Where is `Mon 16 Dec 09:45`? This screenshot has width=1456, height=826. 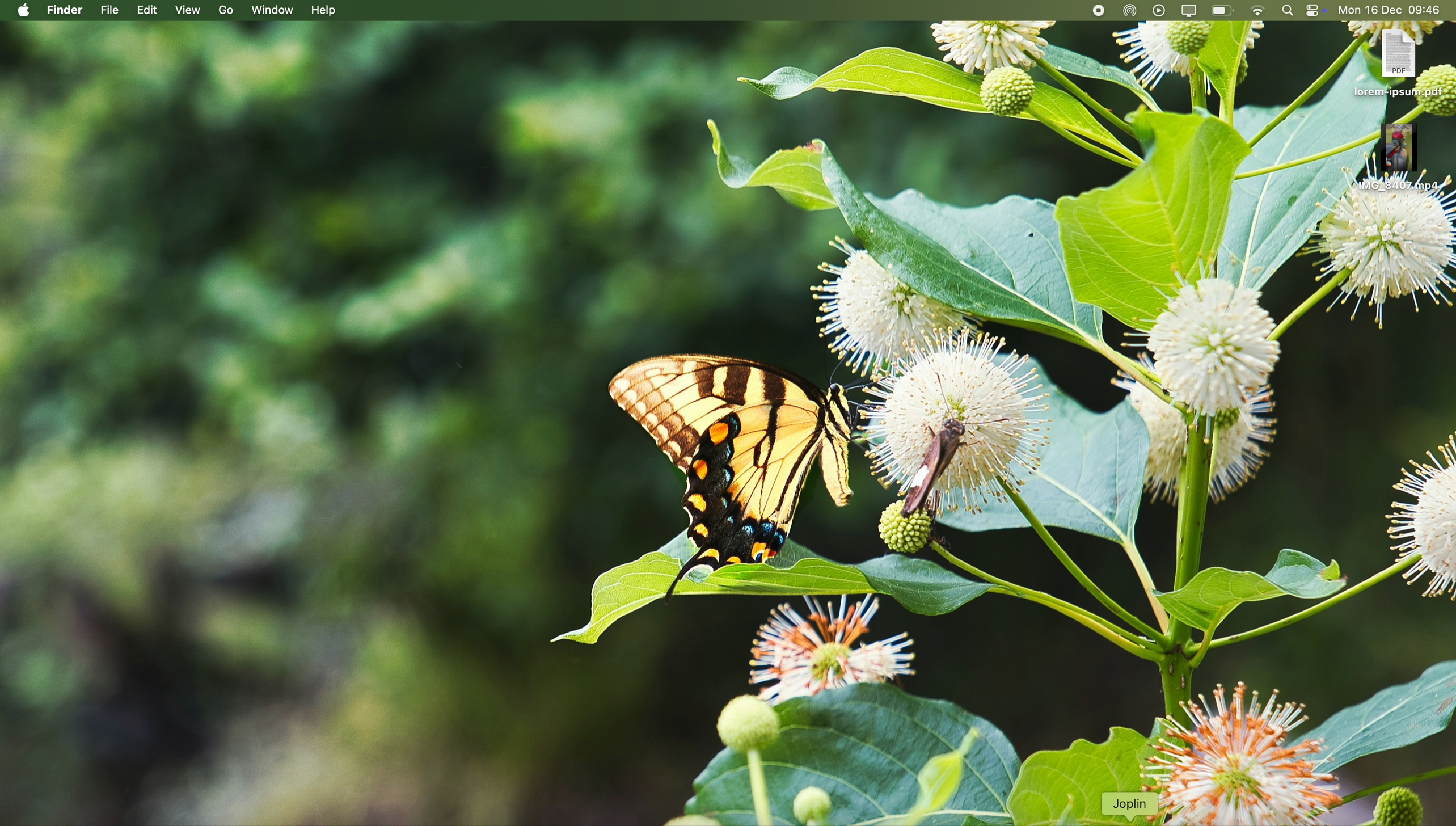
Mon 16 Dec 09:45 is located at coordinates (1391, 11).